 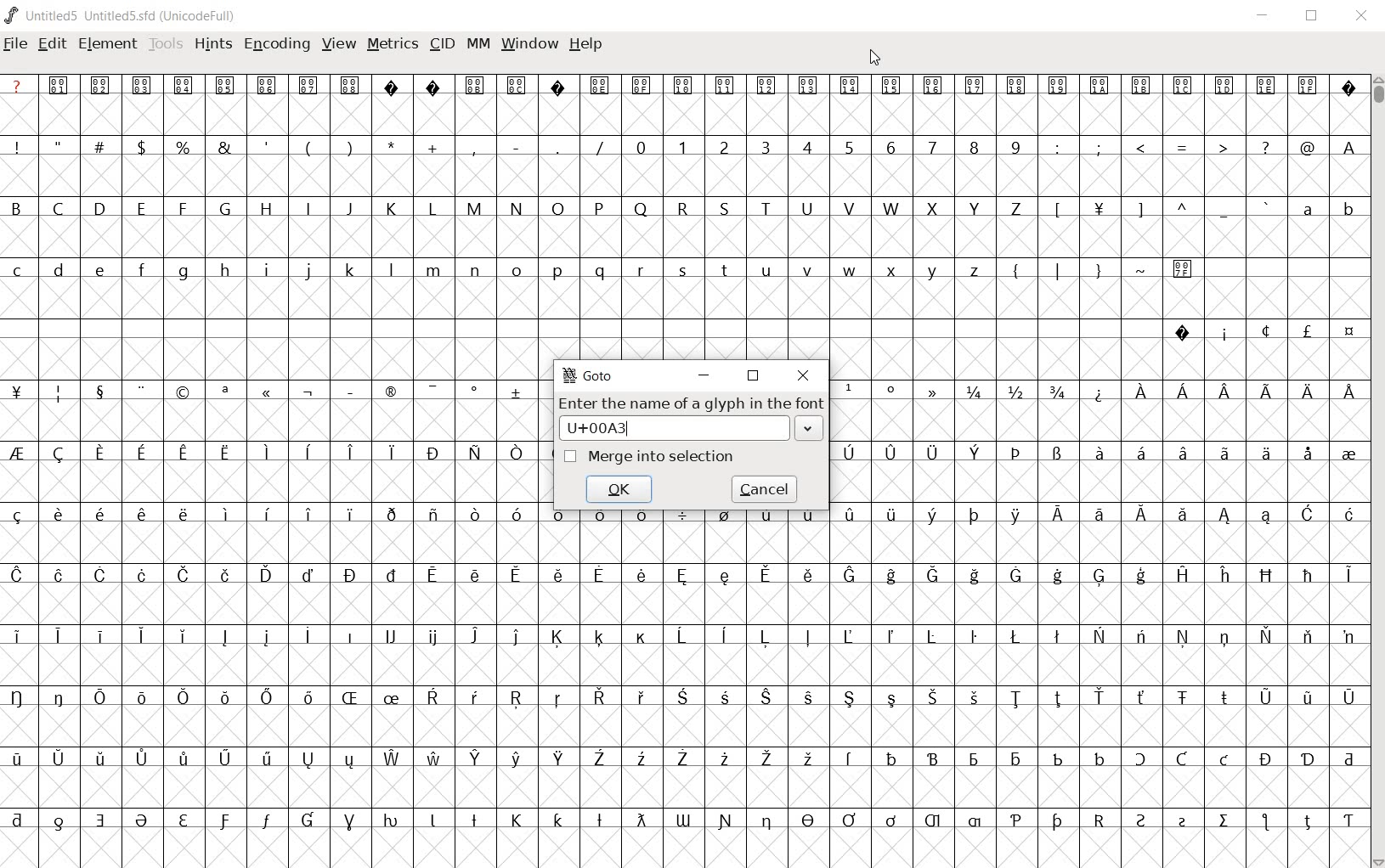 I want to click on Symbol, so click(x=100, y=760).